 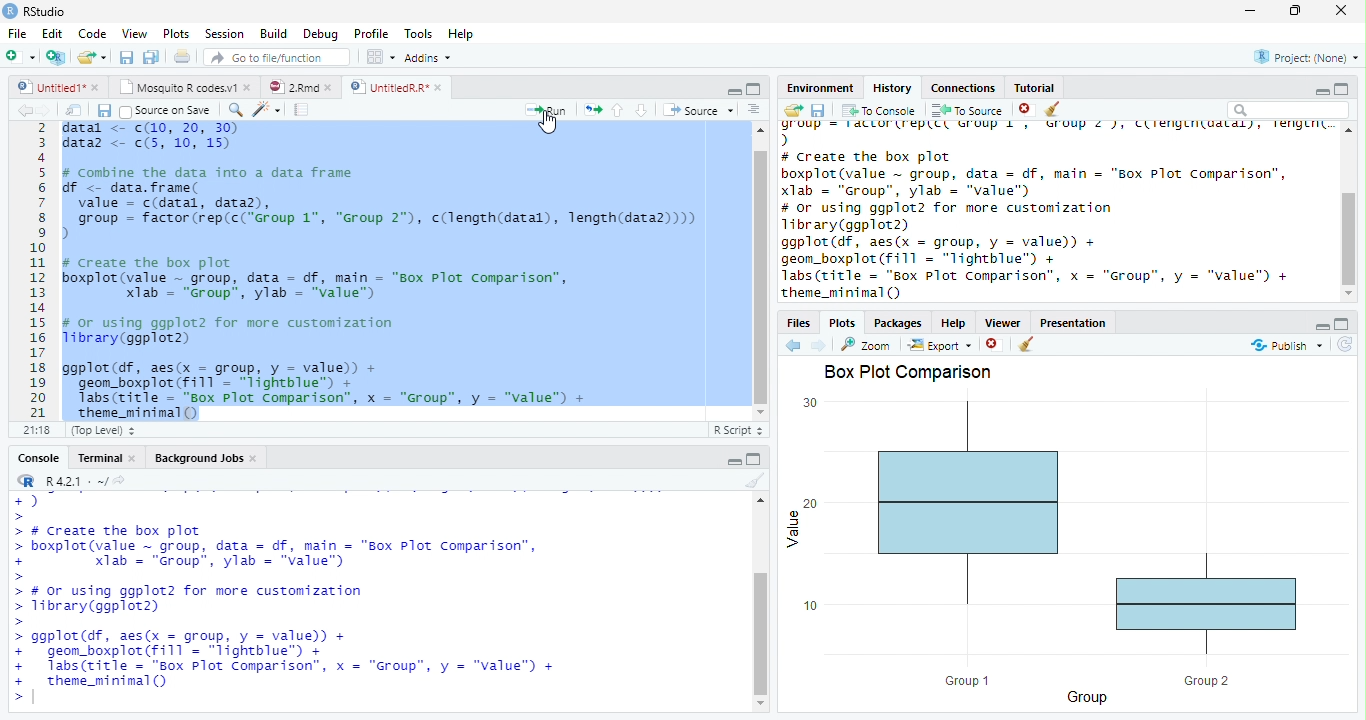 What do you see at coordinates (842, 323) in the screenshot?
I see `Plots` at bounding box center [842, 323].